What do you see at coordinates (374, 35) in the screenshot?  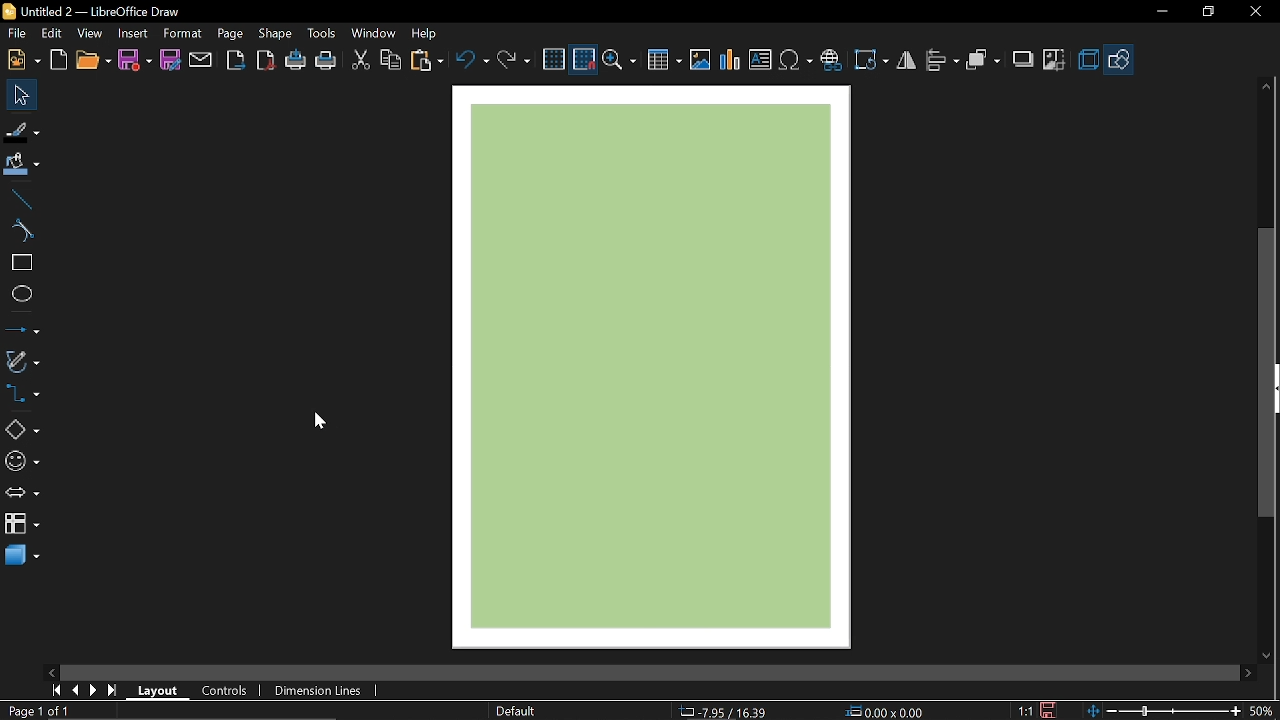 I see `Window` at bounding box center [374, 35].